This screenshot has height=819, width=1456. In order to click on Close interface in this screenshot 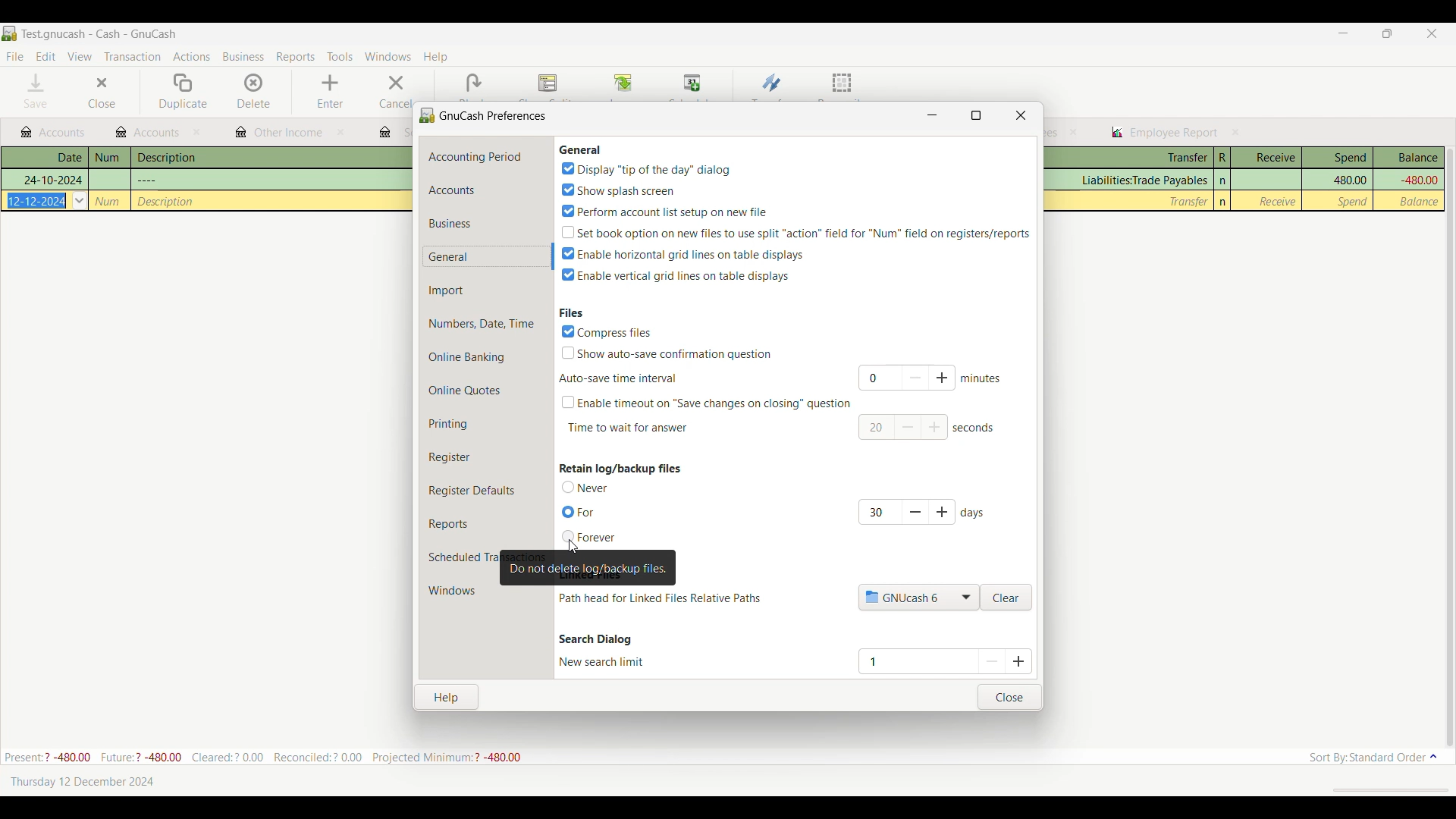, I will do `click(1432, 33)`.